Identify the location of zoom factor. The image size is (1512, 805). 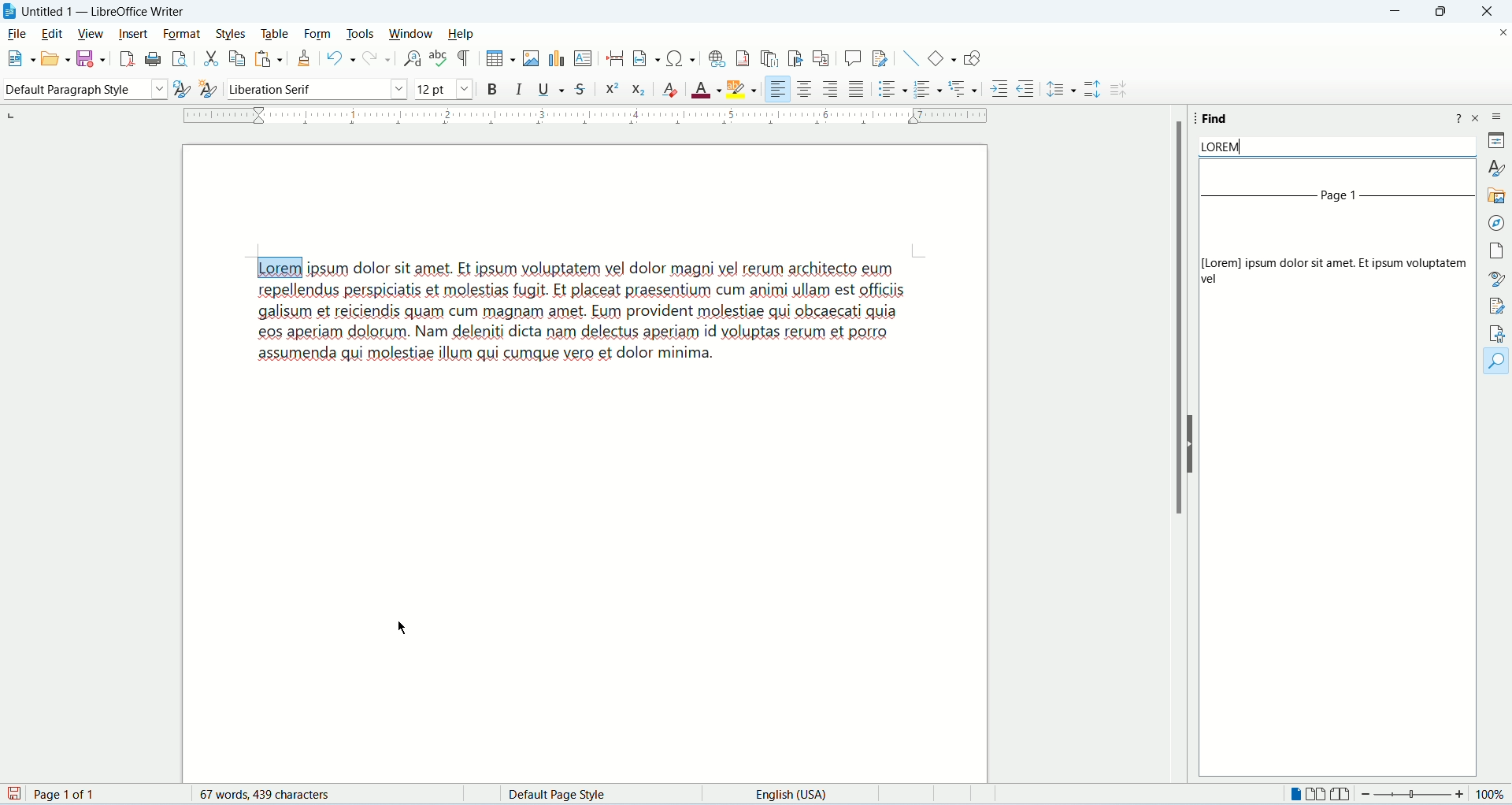
(1433, 793).